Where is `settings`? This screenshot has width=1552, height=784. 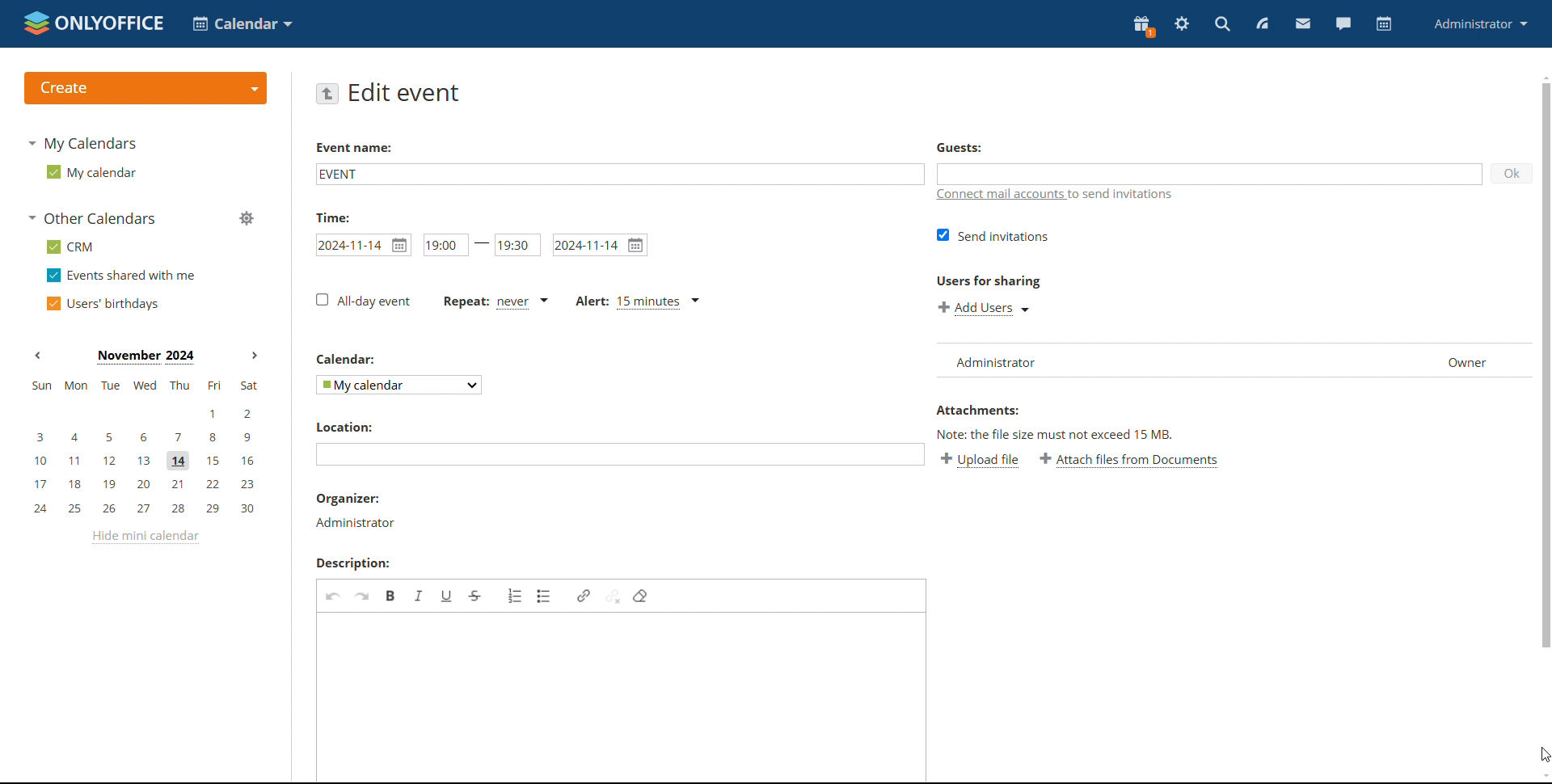
settings is located at coordinates (1181, 24).